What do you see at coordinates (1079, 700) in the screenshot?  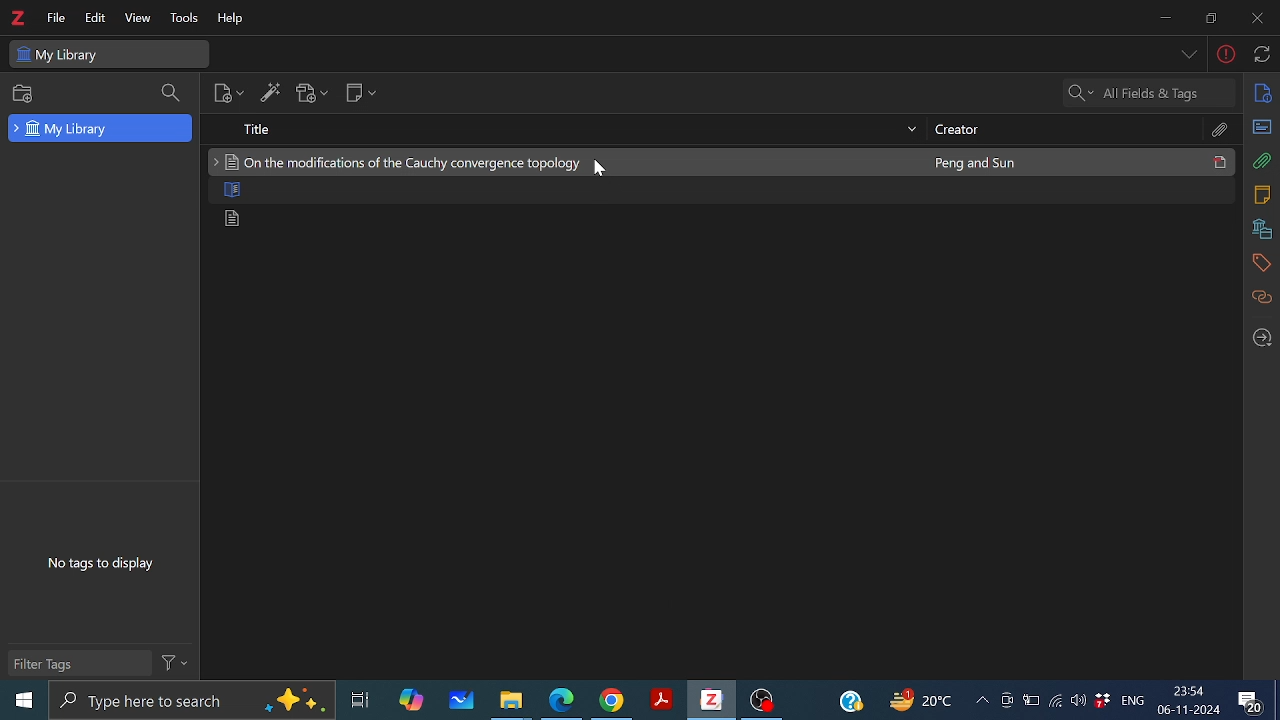 I see `Speaker/Headphone` at bounding box center [1079, 700].